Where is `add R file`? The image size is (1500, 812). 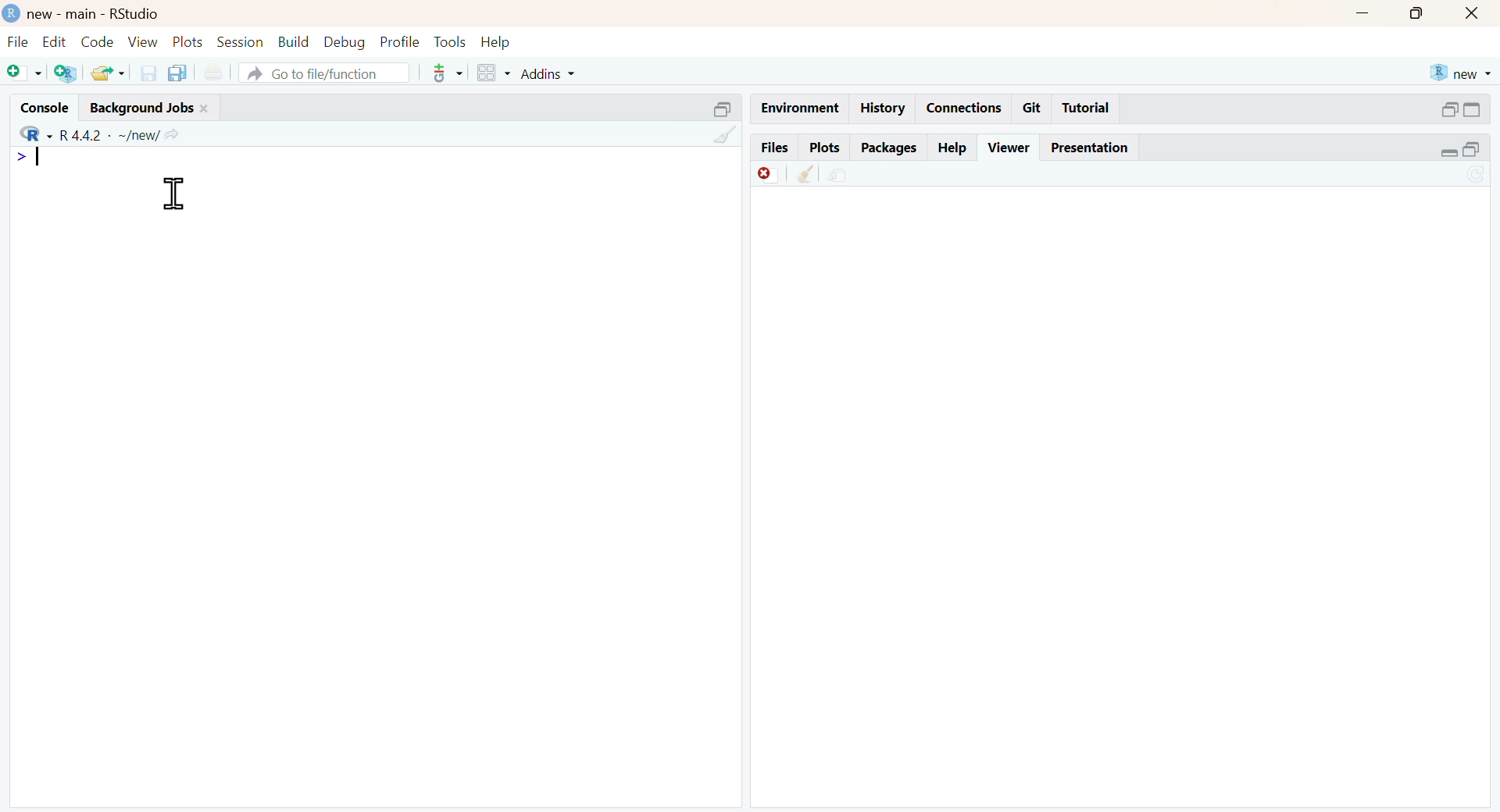 add R file is located at coordinates (66, 74).